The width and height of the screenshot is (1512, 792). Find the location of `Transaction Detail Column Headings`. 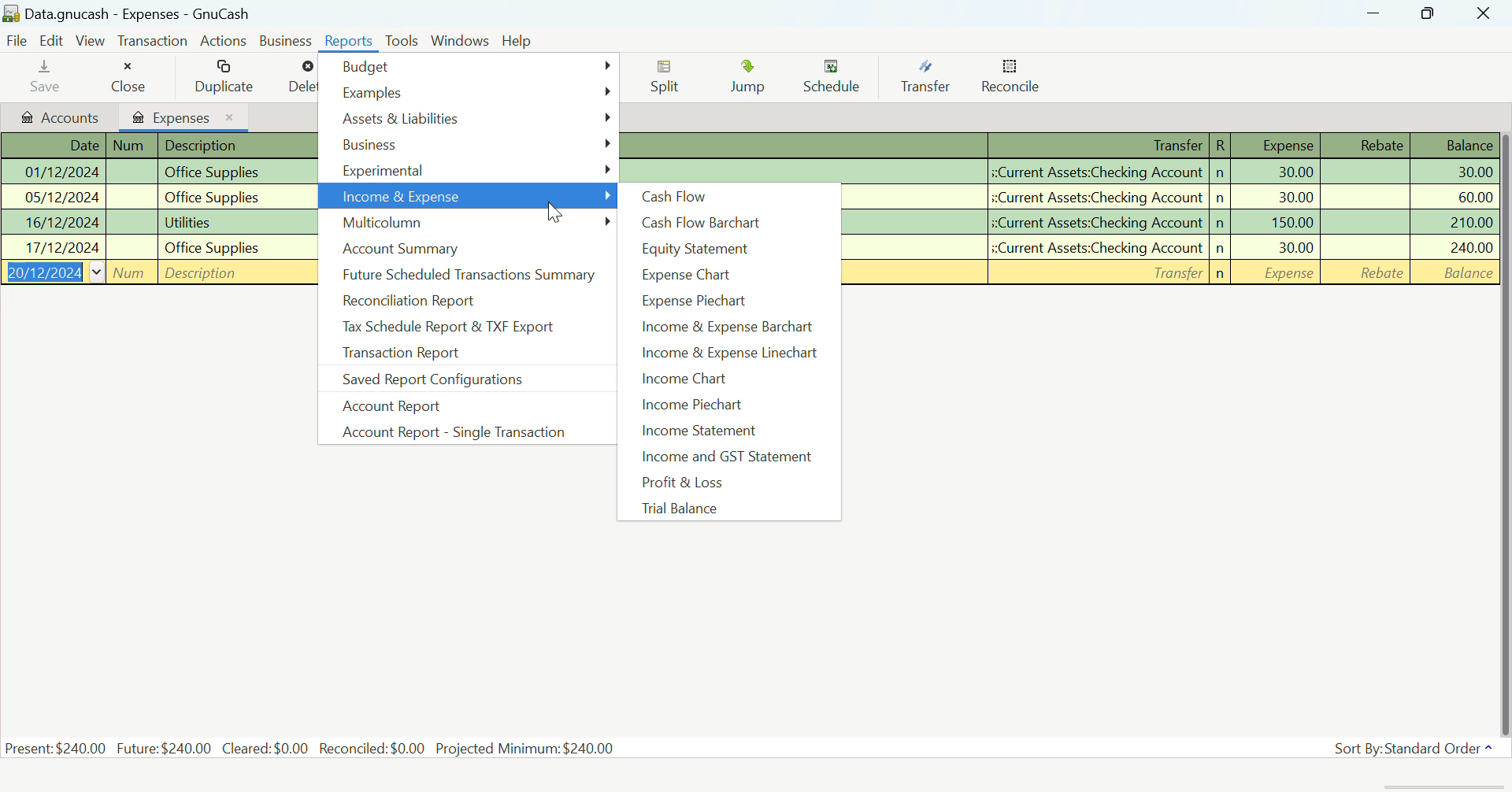

Transaction Detail Column Headings is located at coordinates (1062, 145).